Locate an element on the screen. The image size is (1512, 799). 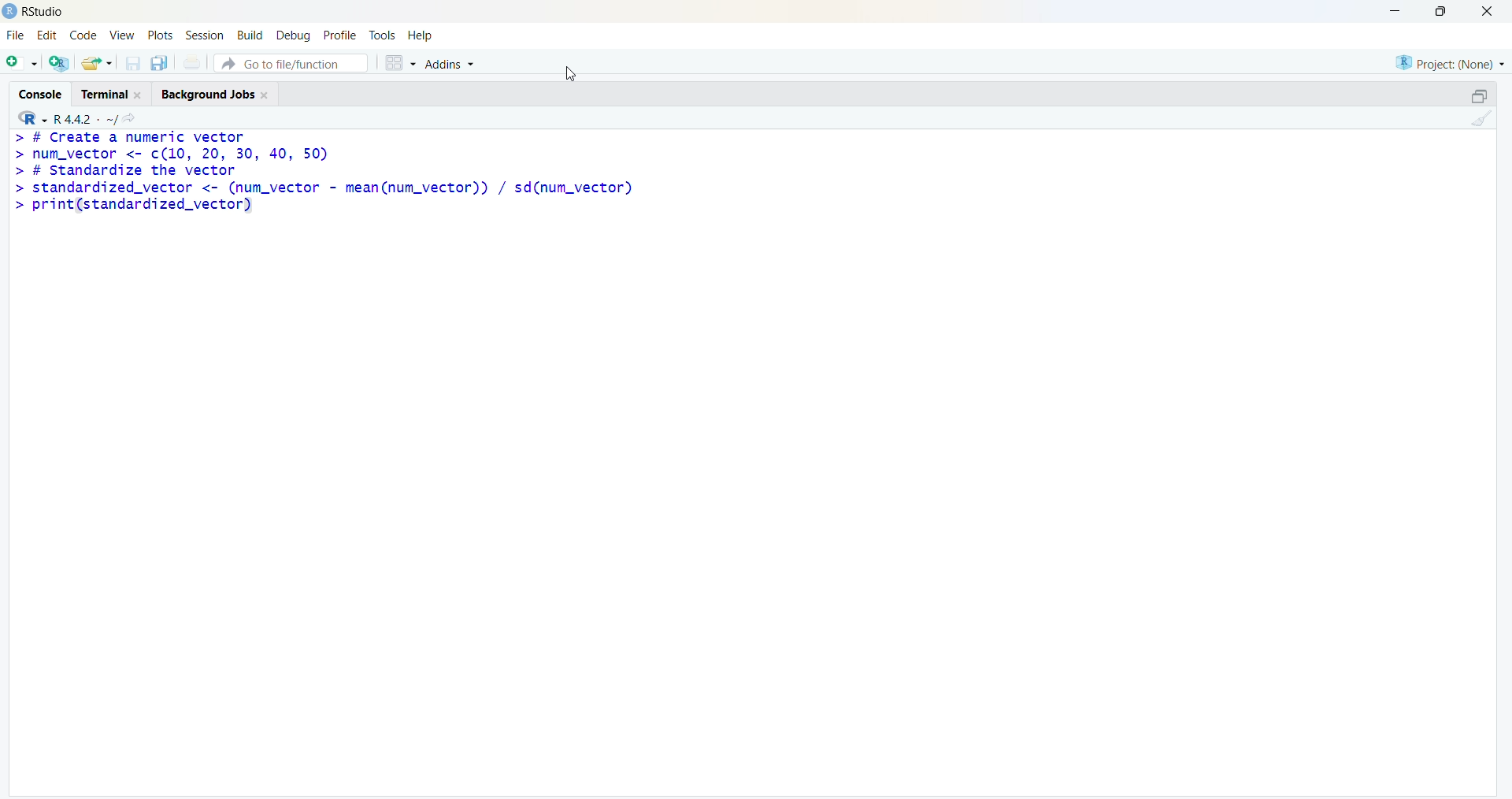
debug is located at coordinates (295, 36).